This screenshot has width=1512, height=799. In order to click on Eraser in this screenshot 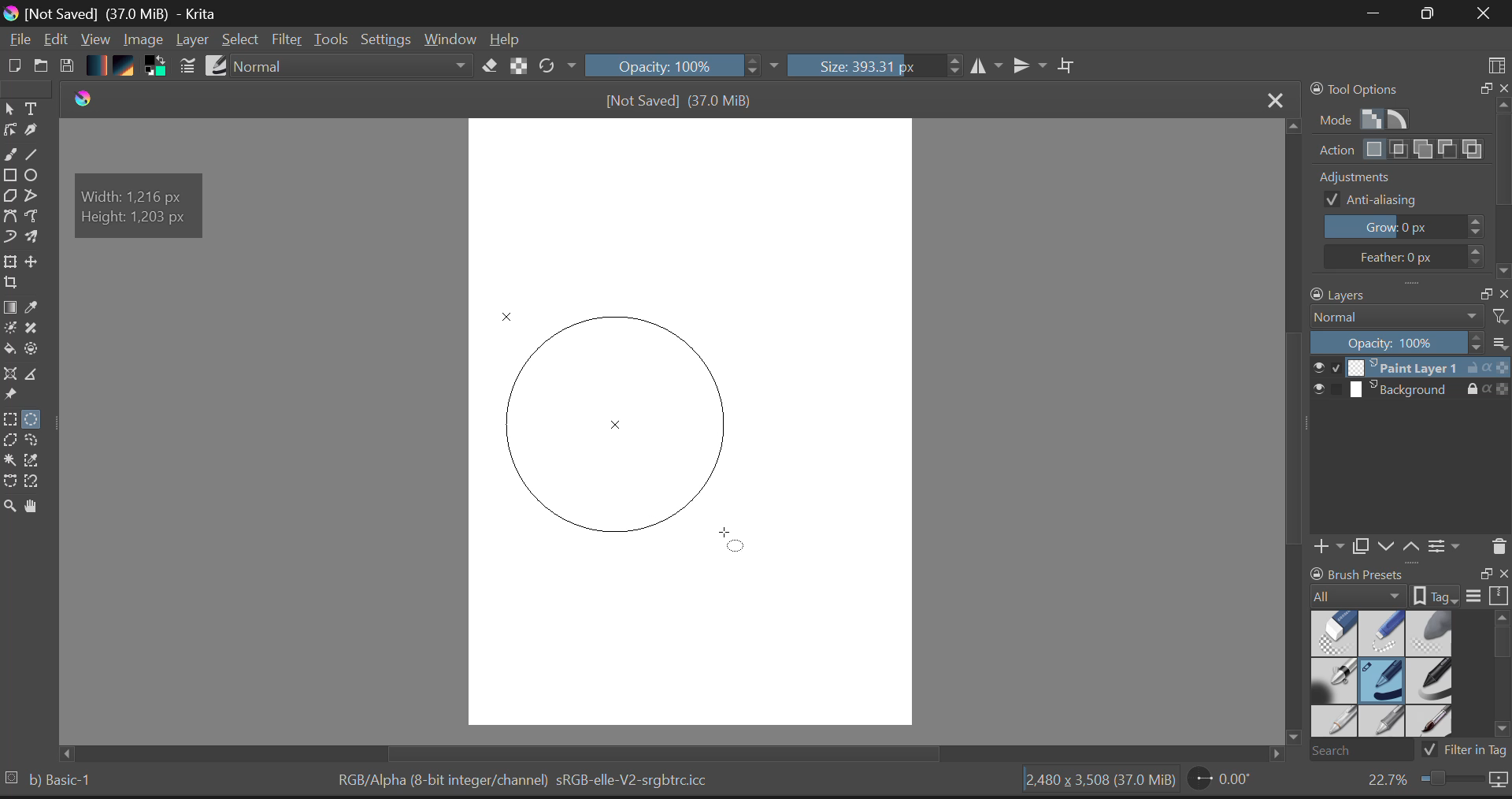, I will do `click(487, 66)`.